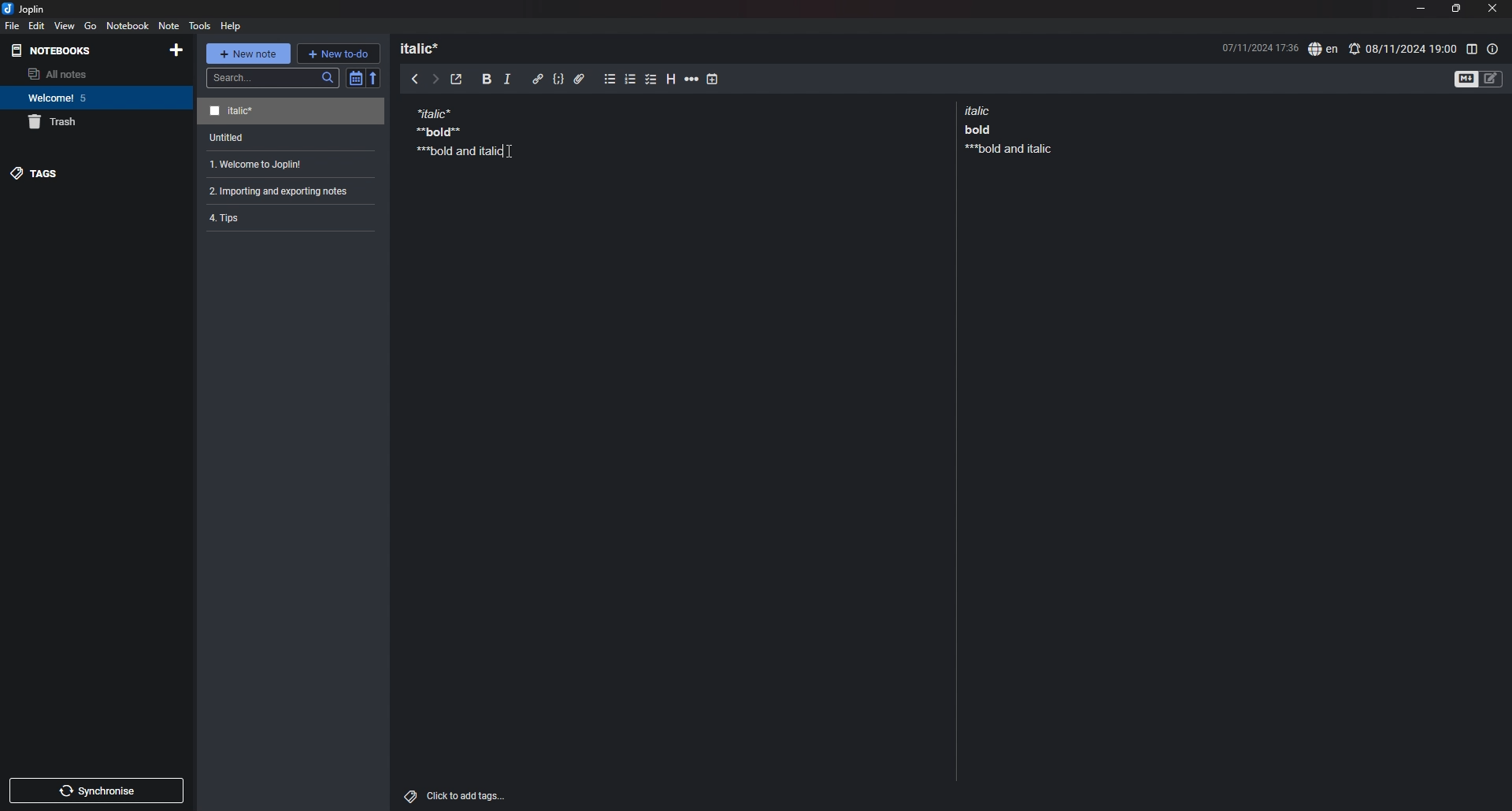  I want to click on help, so click(232, 25).